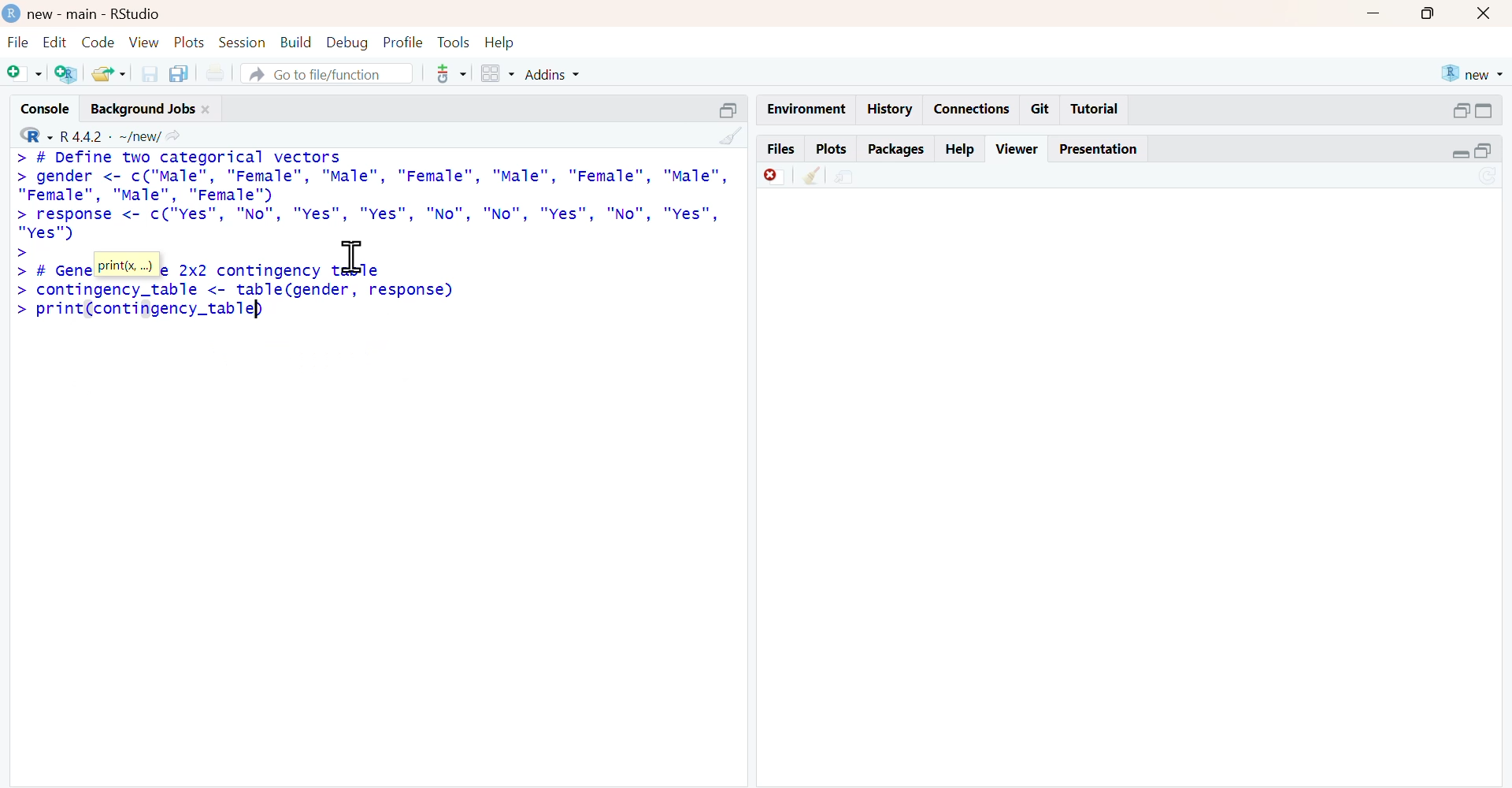 Image resolution: width=1512 pixels, height=788 pixels. I want to click on Environment , so click(808, 109).